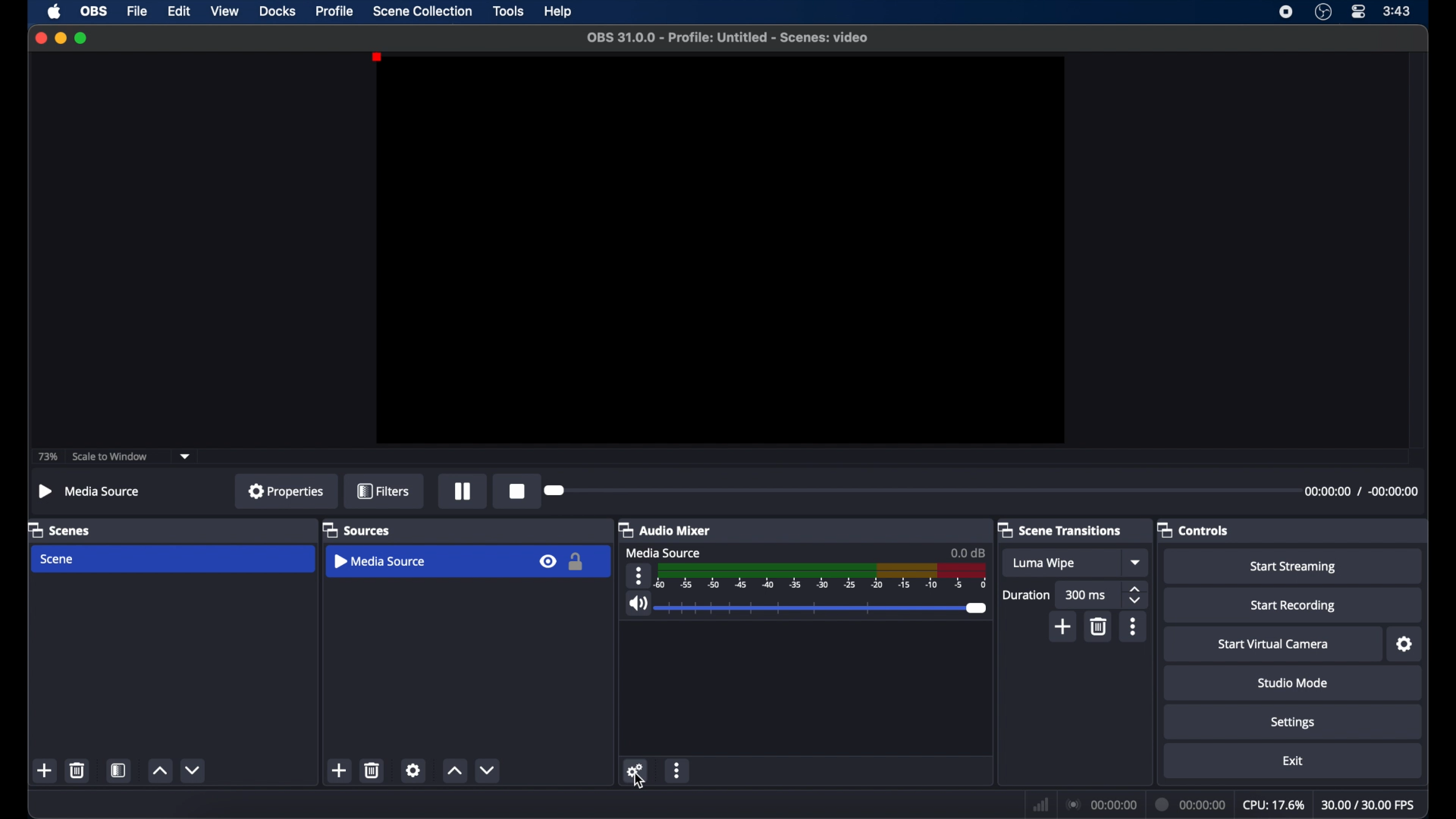 The width and height of the screenshot is (1456, 819). What do you see at coordinates (338, 770) in the screenshot?
I see `add` at bounding box center [338, 770].